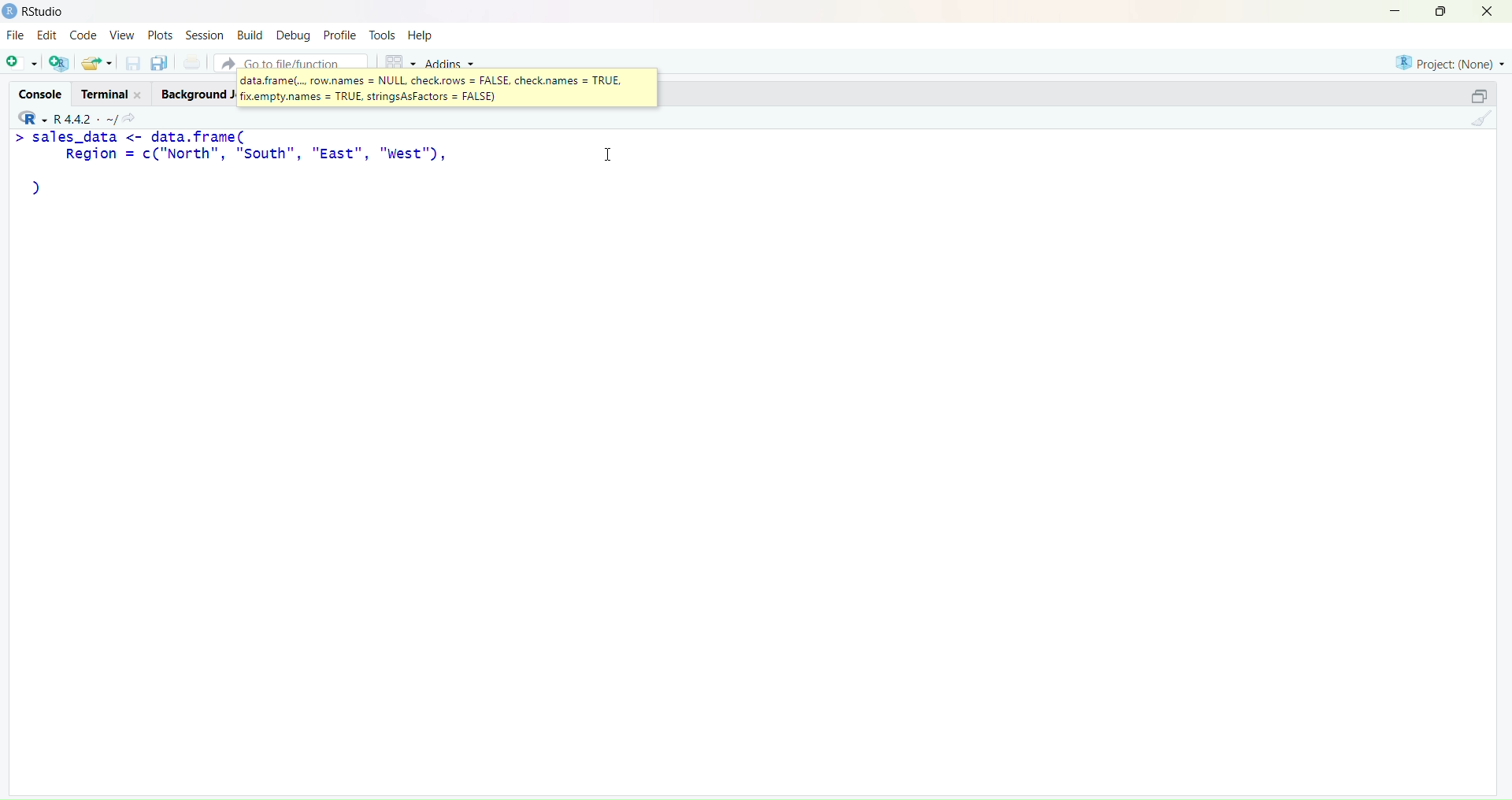 The height and width of the screenshot is (800, 1512). Describe the element at coordinates (450, 64) in the screenshot. I see `Addins ~` at that location.